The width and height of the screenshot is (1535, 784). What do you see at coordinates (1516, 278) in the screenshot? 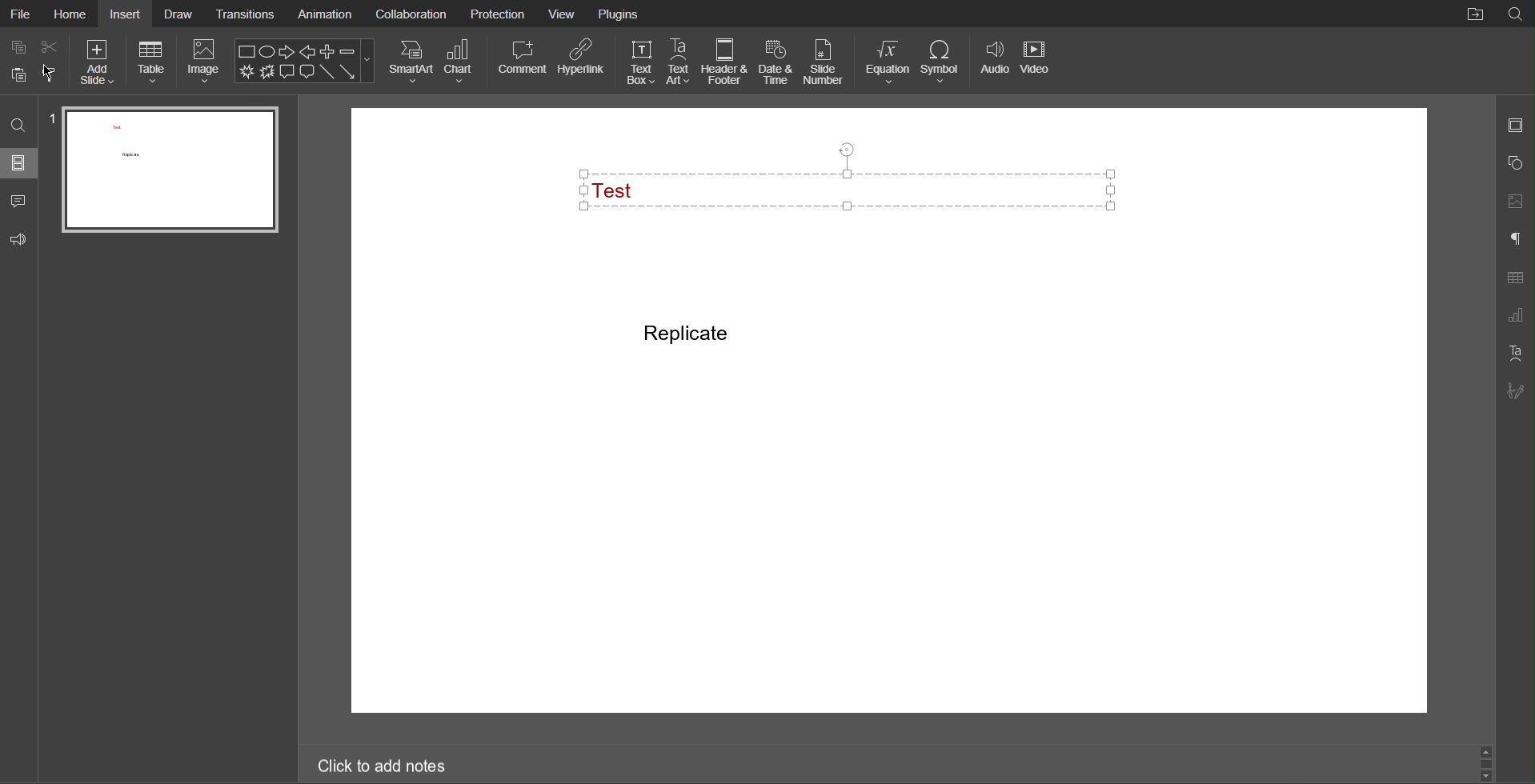
I see `Table Settings` at bounding box center [1516, 278].